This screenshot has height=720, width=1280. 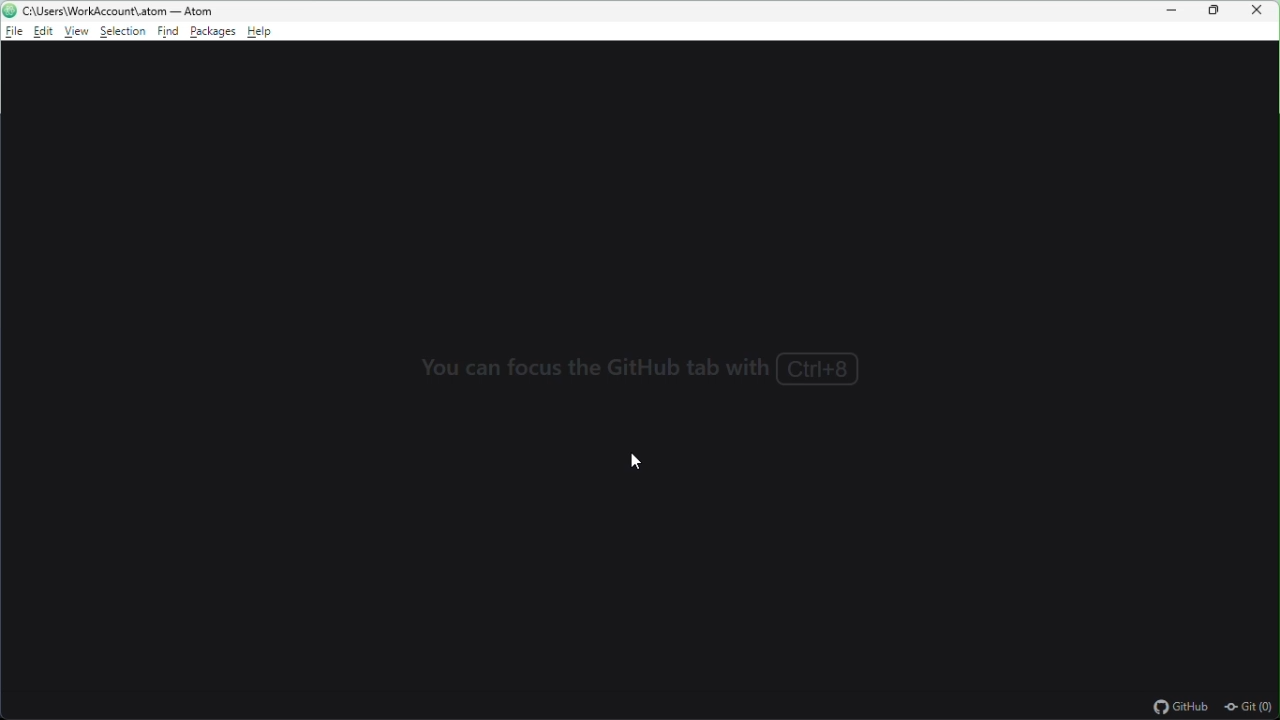 I want to click on edit, so click(x=46, y=32).